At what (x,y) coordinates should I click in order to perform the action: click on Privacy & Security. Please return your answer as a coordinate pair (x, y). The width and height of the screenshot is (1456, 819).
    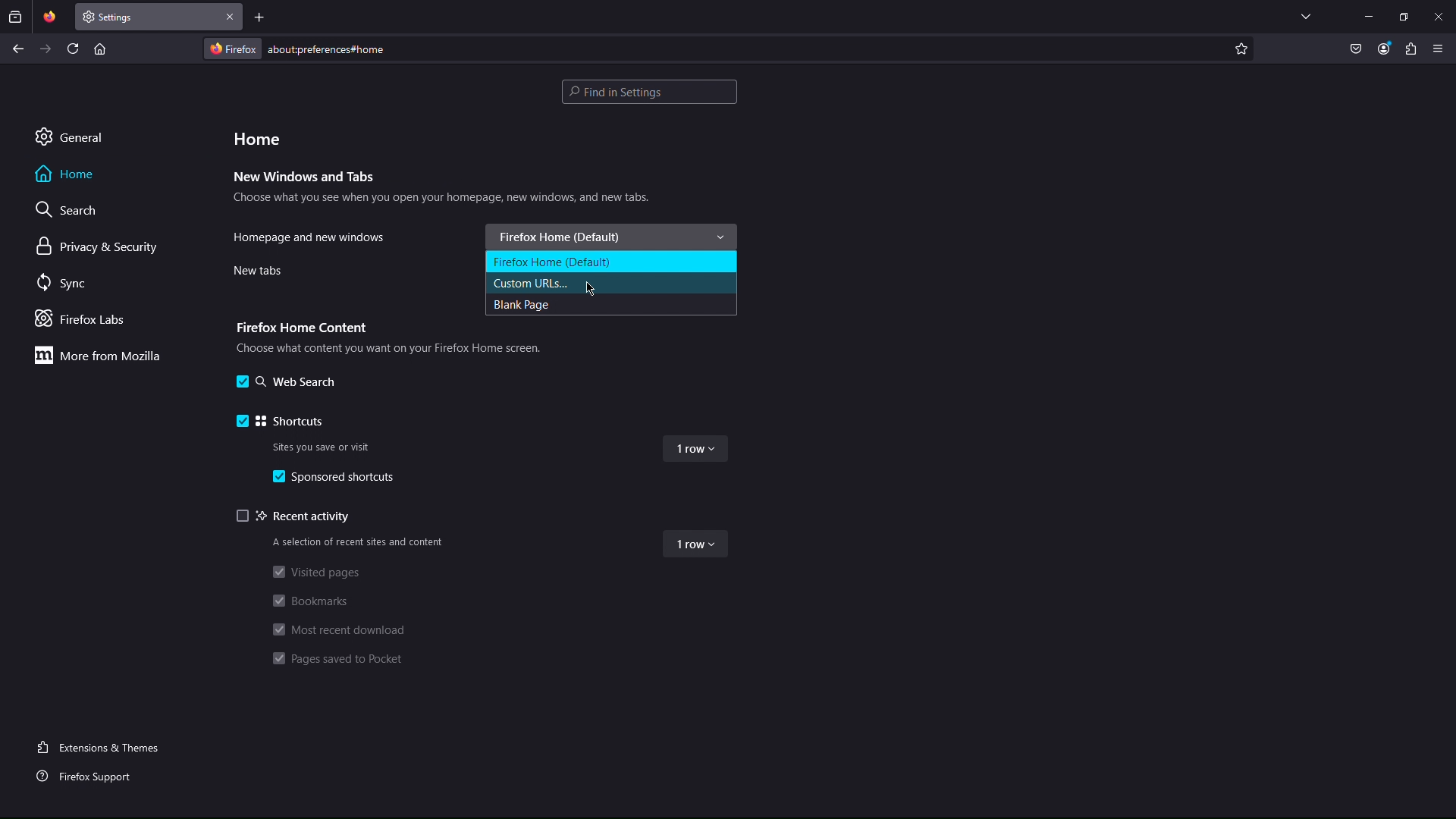
    Looking at the image, I should click on (98, 247).